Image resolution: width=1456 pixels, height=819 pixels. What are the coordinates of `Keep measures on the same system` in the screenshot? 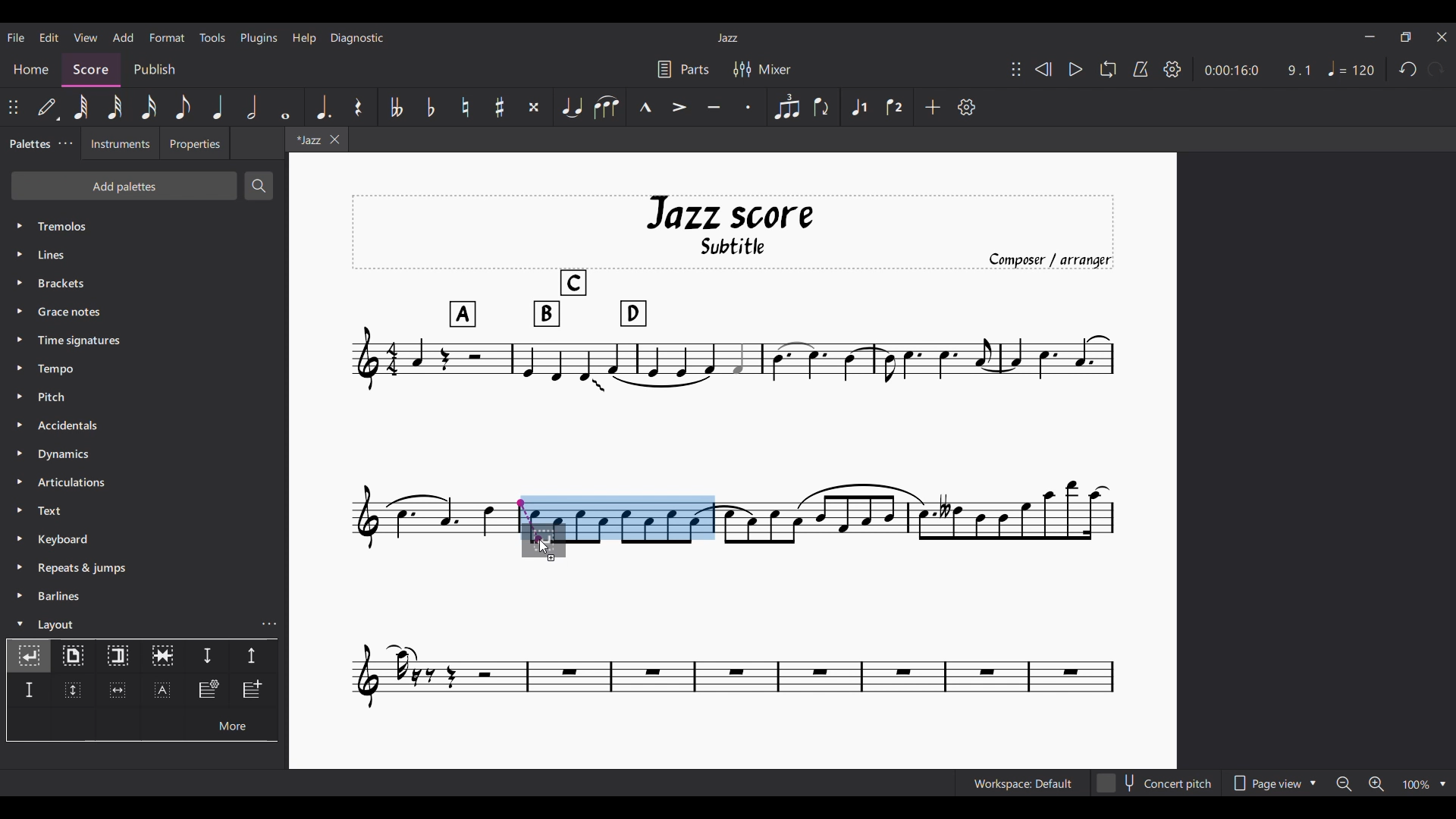 It's located at (162, 657).